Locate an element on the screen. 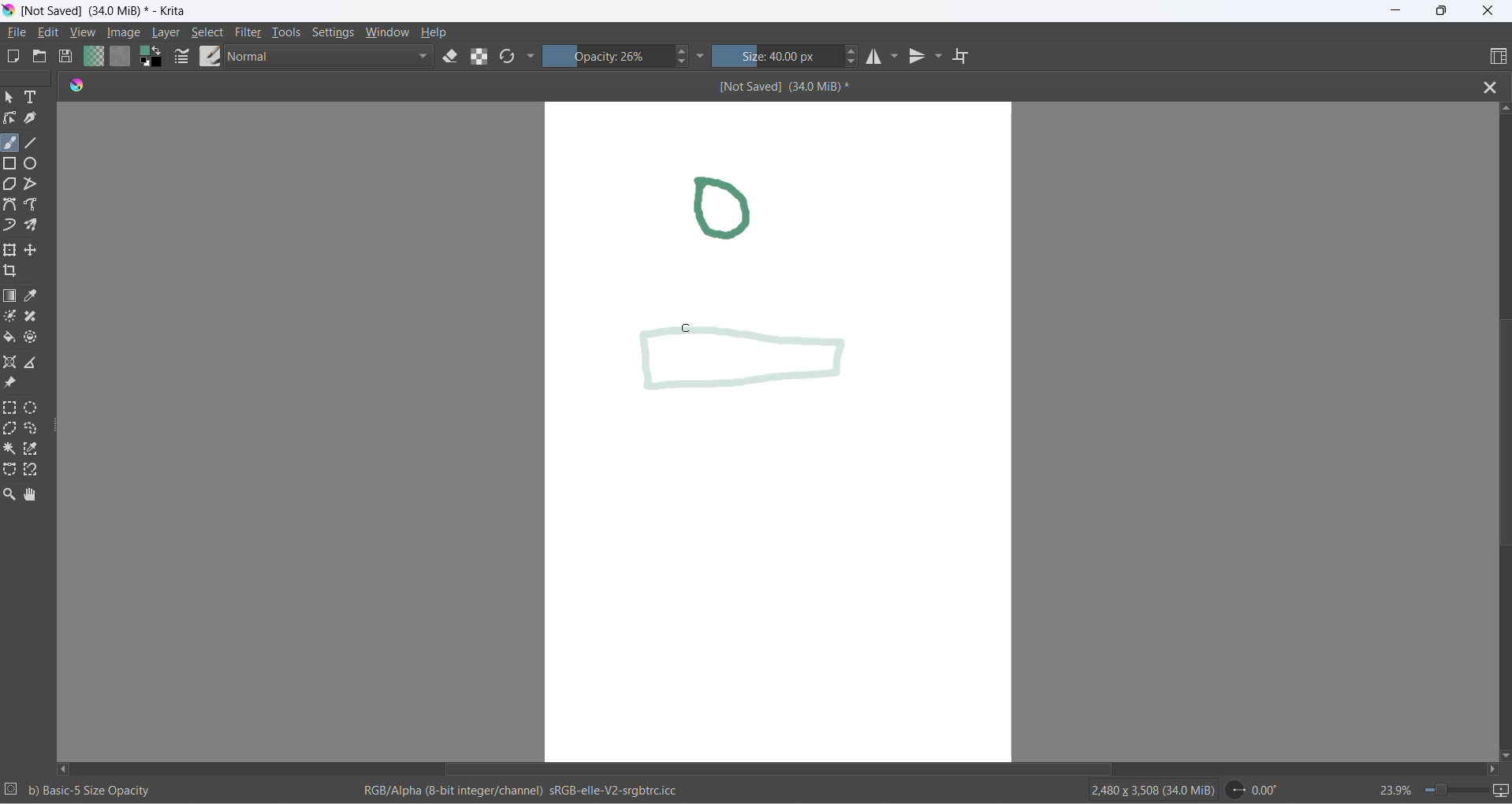 The image size is (1512, 804). rectangular selection tool is located at coordinates (10, 410).